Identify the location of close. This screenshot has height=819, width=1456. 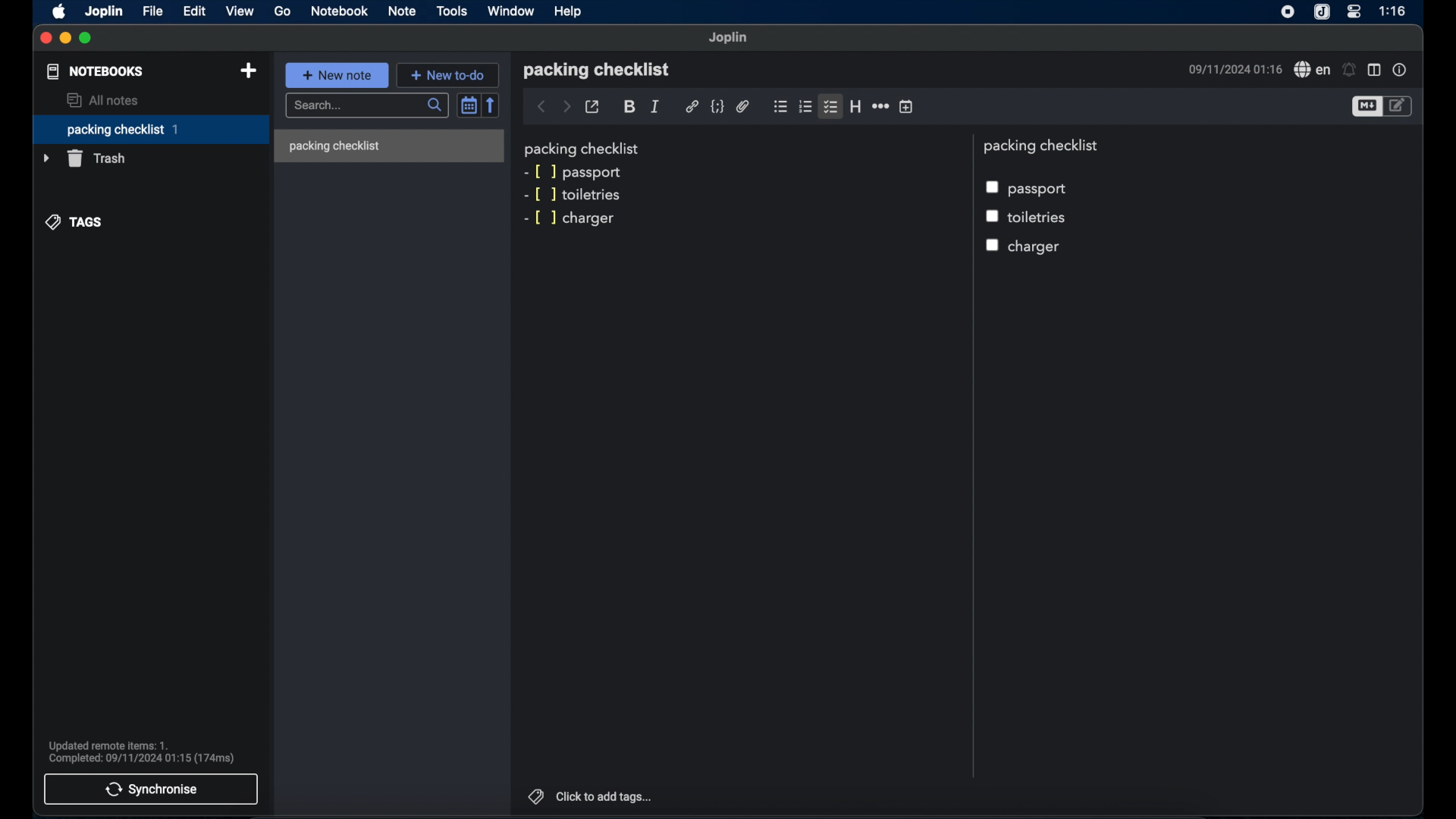
(45, 38).